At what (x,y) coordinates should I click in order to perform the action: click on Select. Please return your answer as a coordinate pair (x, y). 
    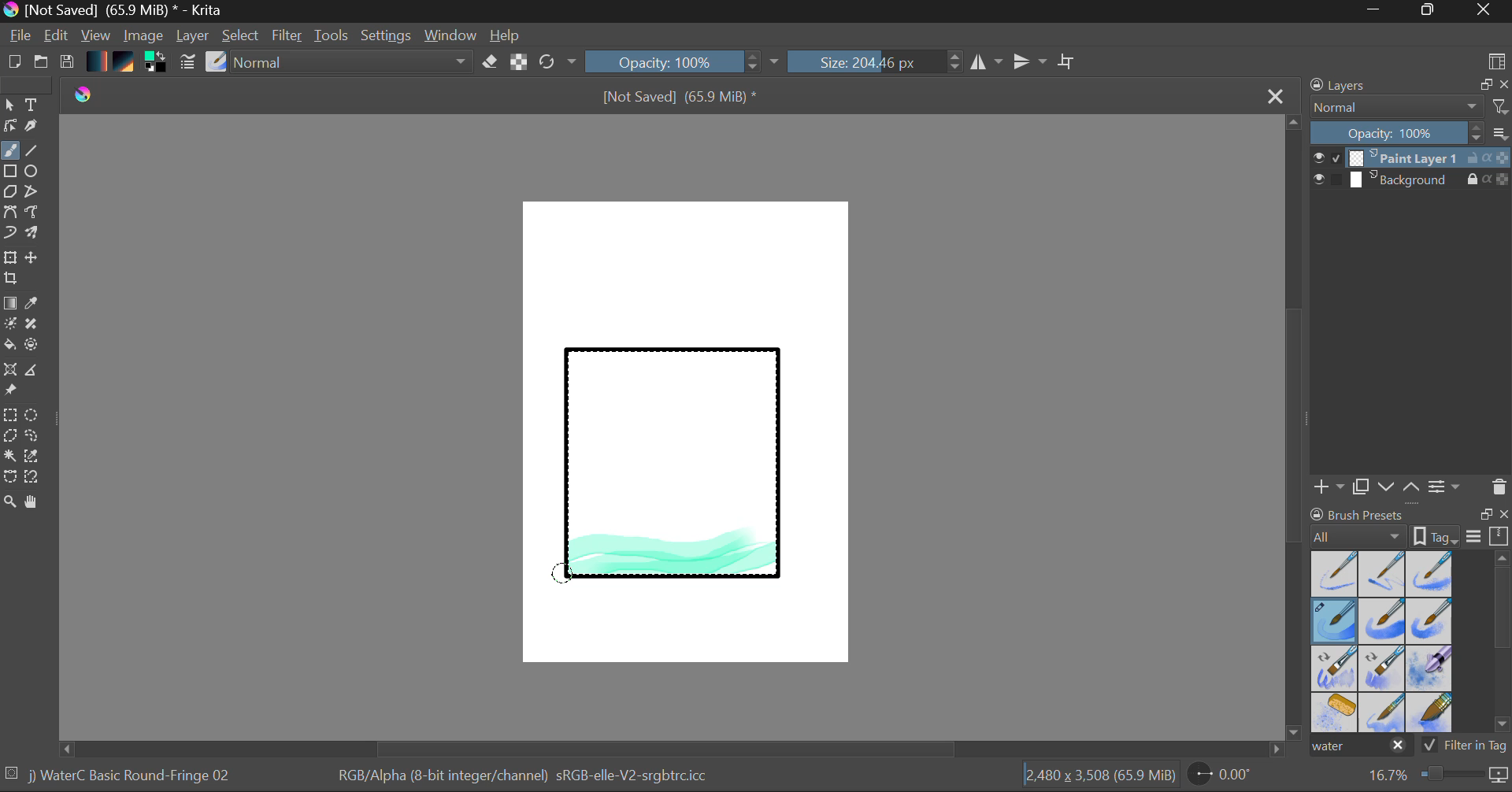
    Looking at the image, I should click on (242, 36).